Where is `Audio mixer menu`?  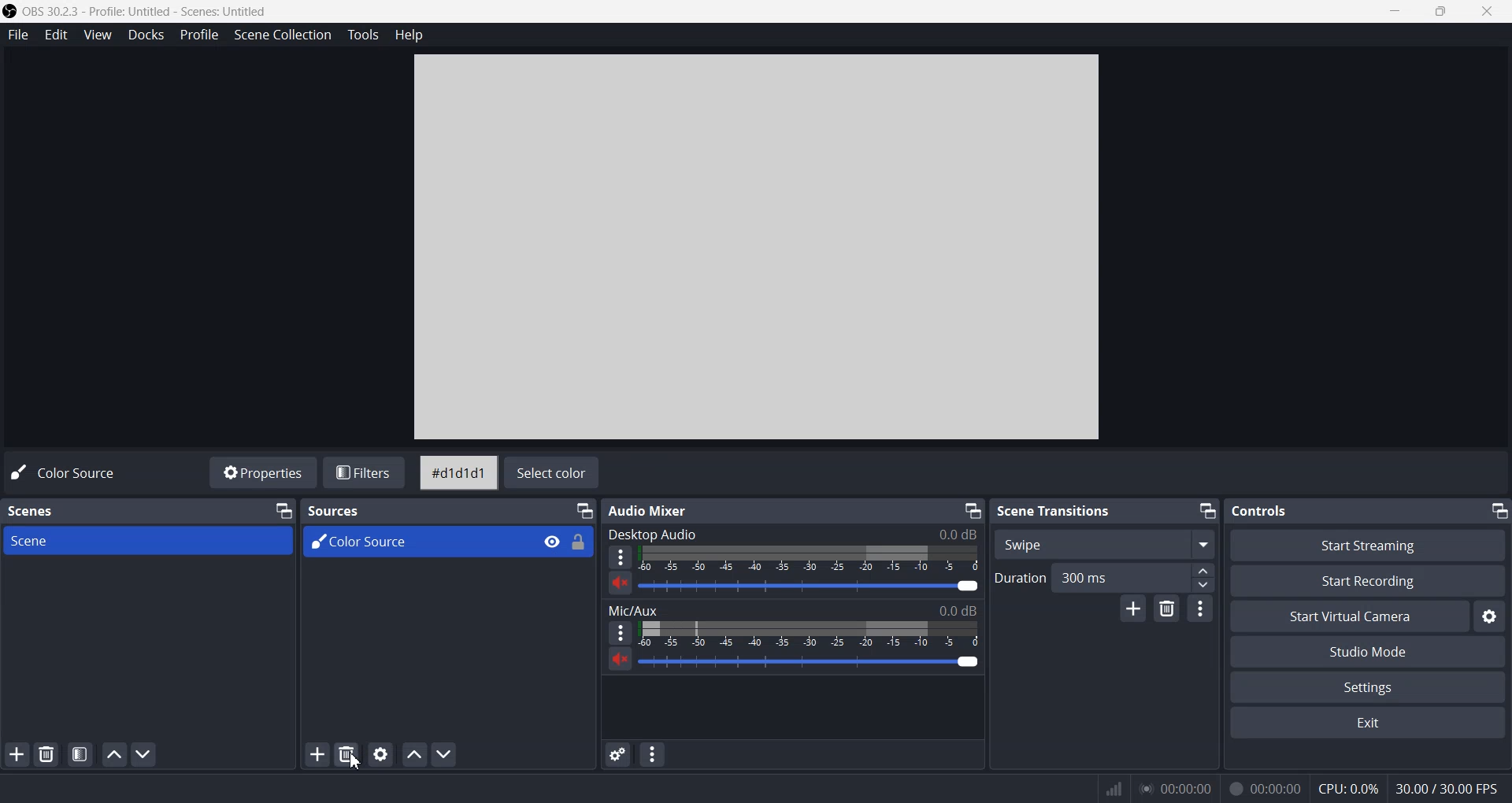 Audio mixer menu is located at coordinates (652, 754).